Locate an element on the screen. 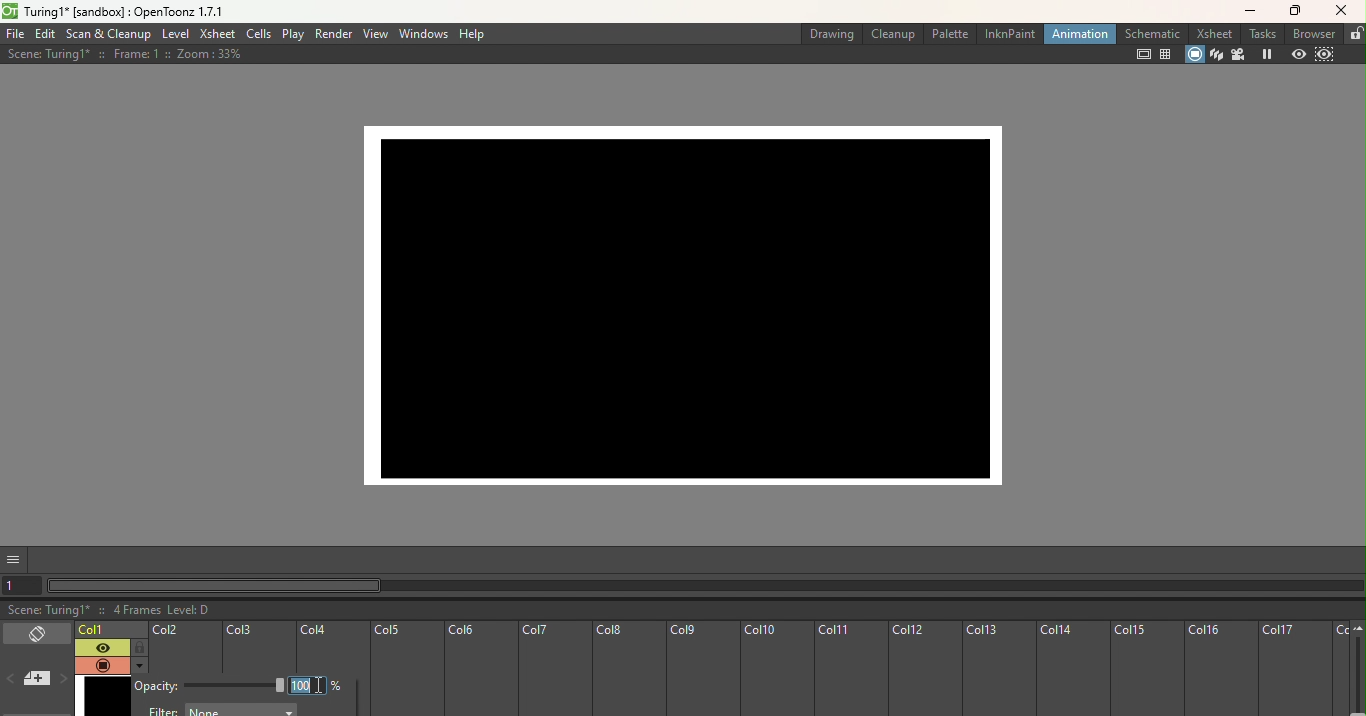  Edit is located at coordinates (45, 35).